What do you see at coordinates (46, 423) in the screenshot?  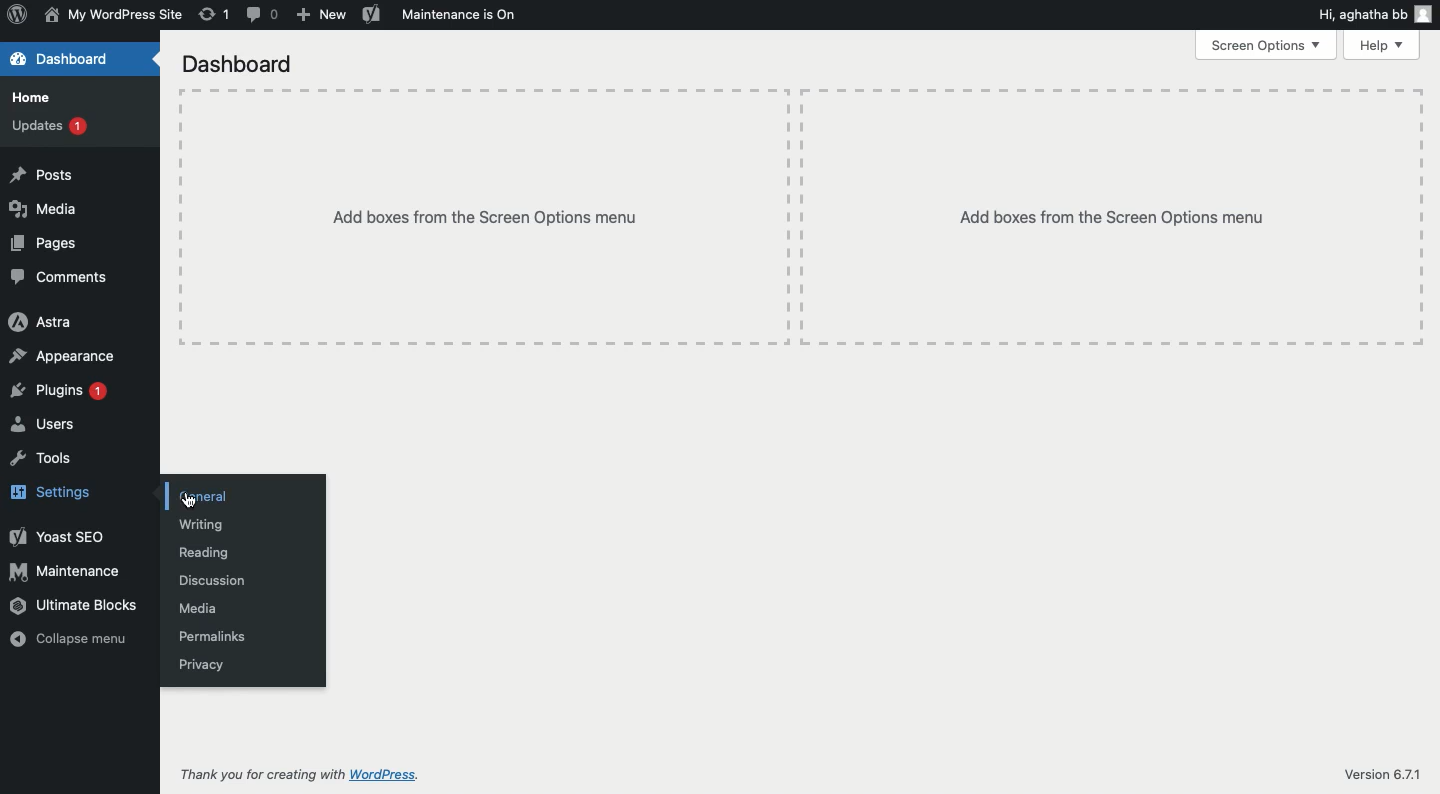 I see `Users` at bounding box center [46, 423].